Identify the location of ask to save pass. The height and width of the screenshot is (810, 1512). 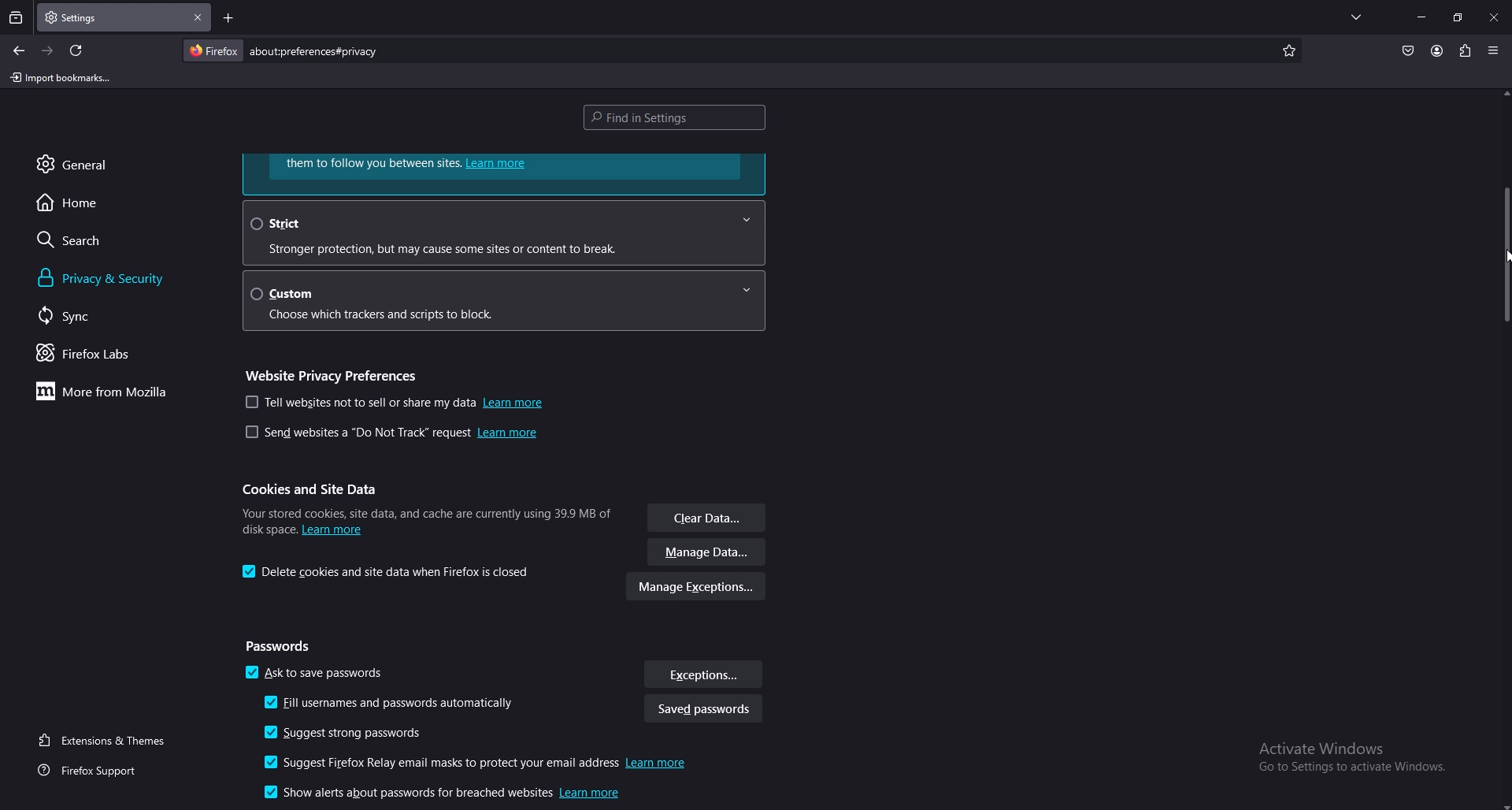
(317, 675).